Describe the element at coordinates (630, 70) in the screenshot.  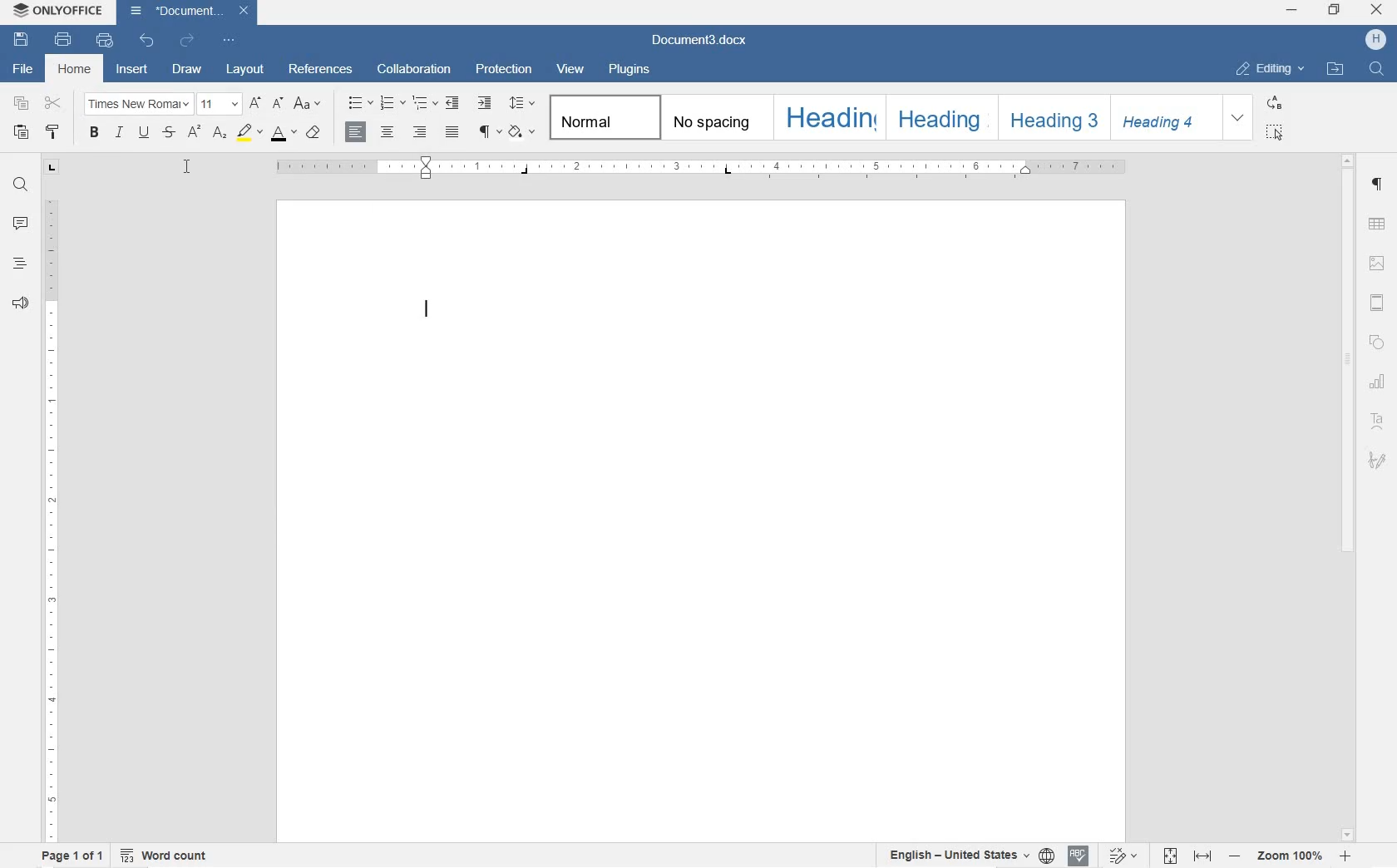
I see `PLUGINS` at that location.